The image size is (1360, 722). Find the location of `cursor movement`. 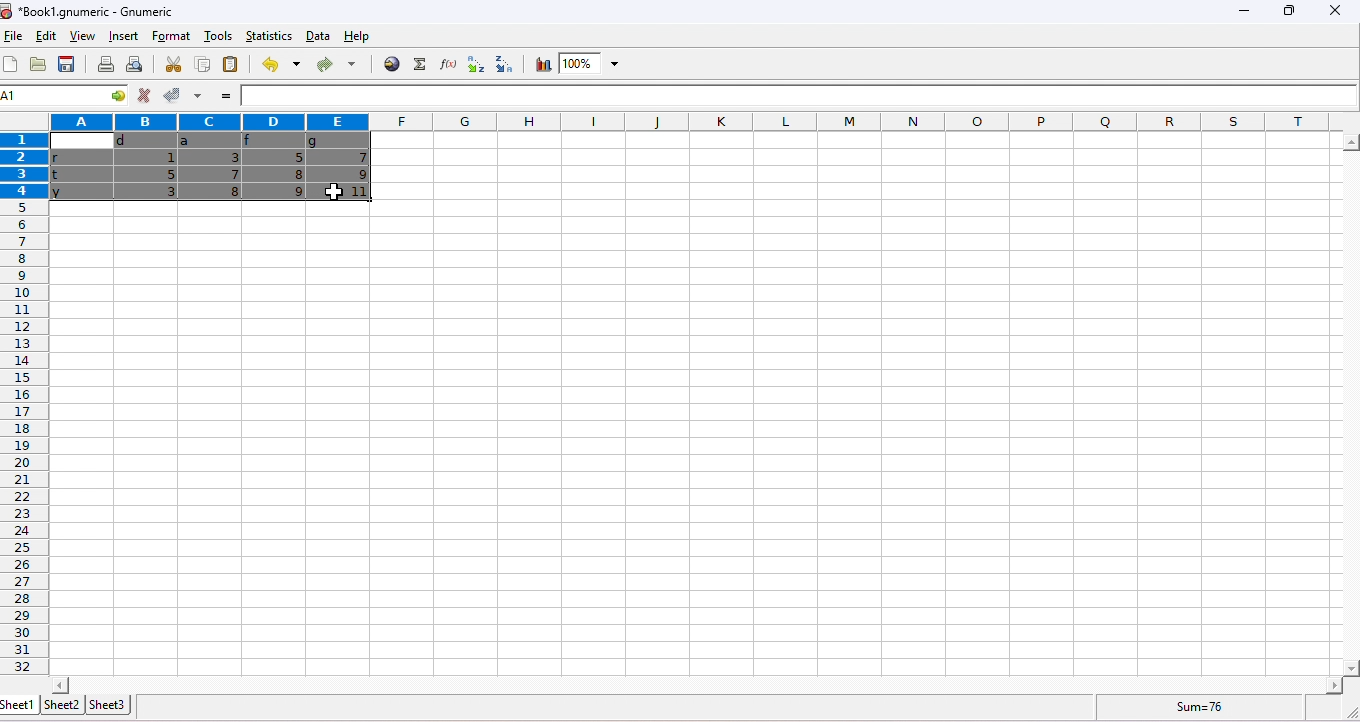

cursor movement is located at coordinates (335, 192).